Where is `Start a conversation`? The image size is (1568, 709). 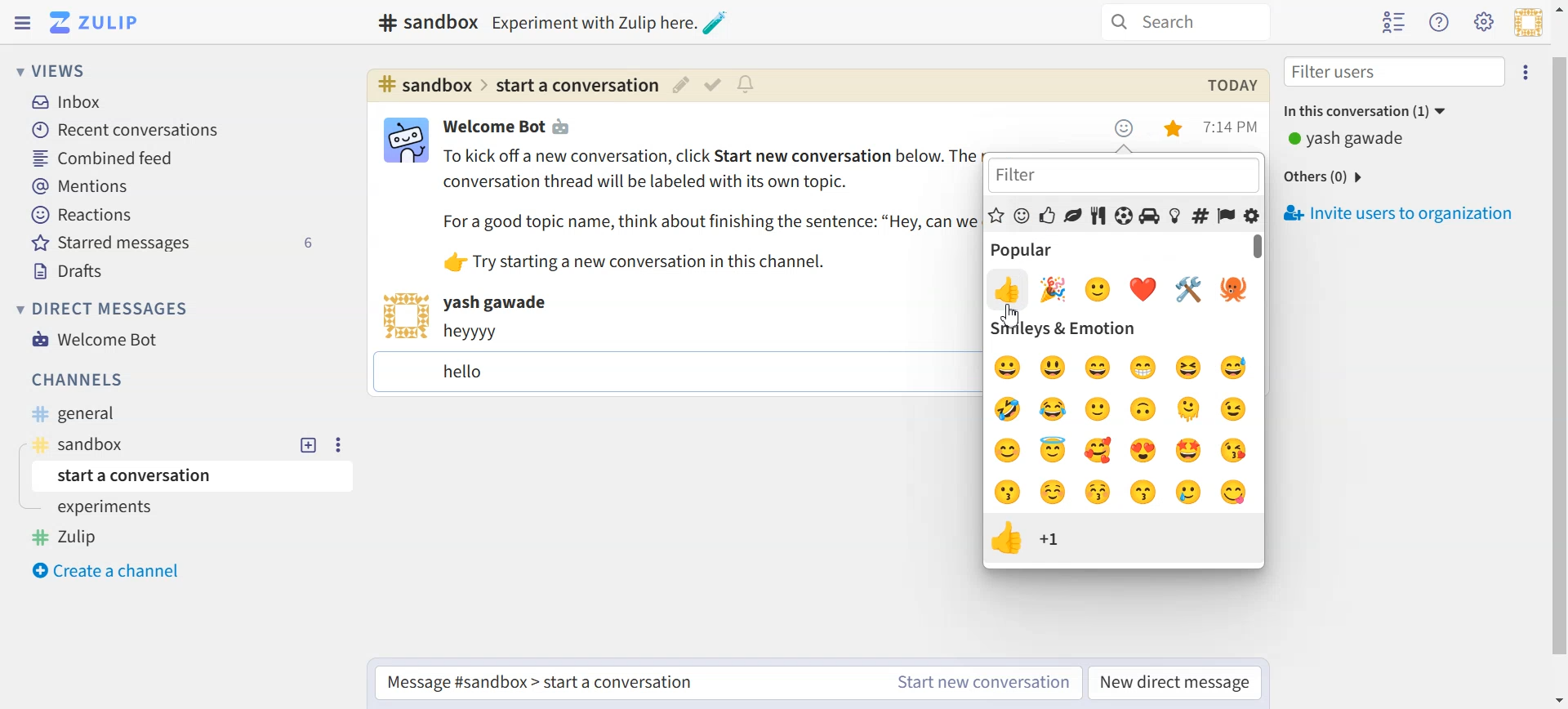
Start a conversation is located at coordinates (196, 475).